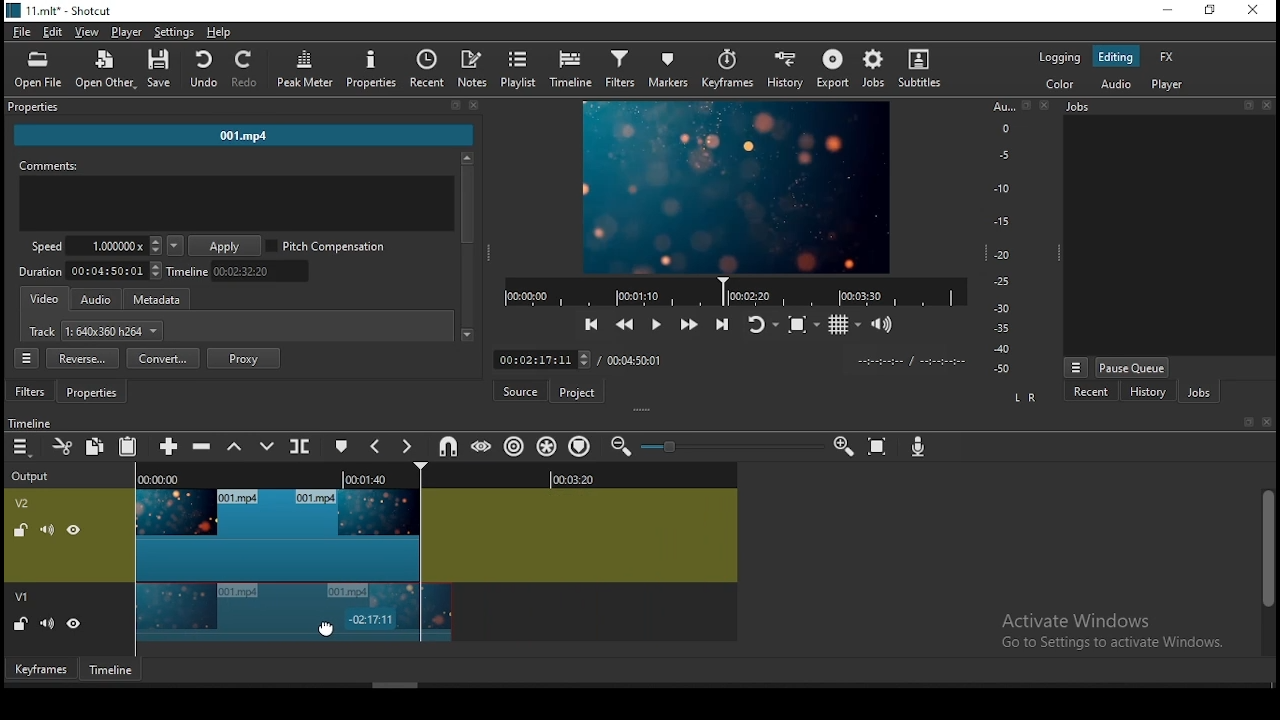 The height and width of the screenshot is (720, 1280). I want to click on SCROLLBAR, so click(467, 249).